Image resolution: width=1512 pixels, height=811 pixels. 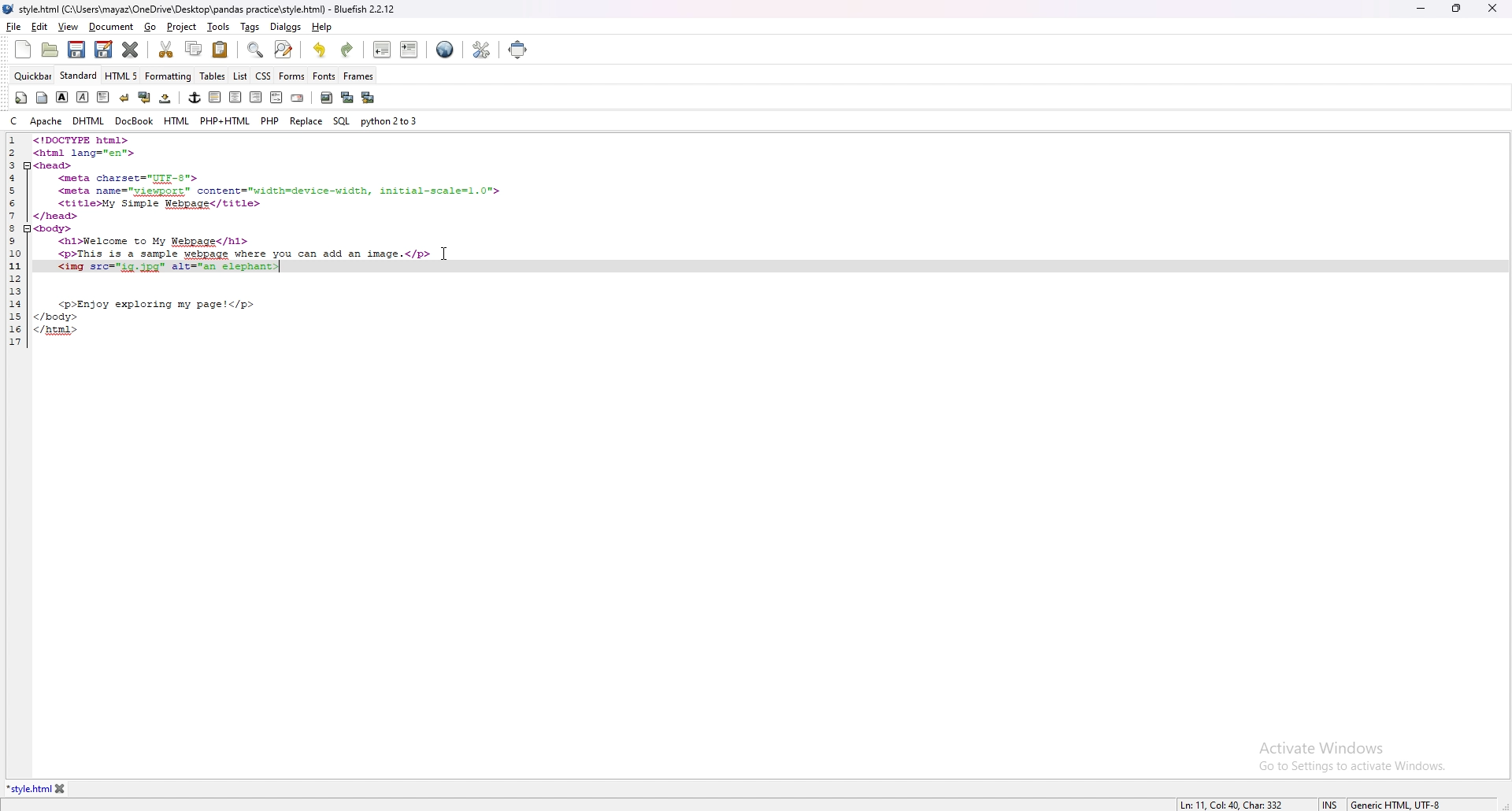 What do you see at coordinates (20, 98) in the screenshot?
I see `quickstart` at bounding box center [20, 98].